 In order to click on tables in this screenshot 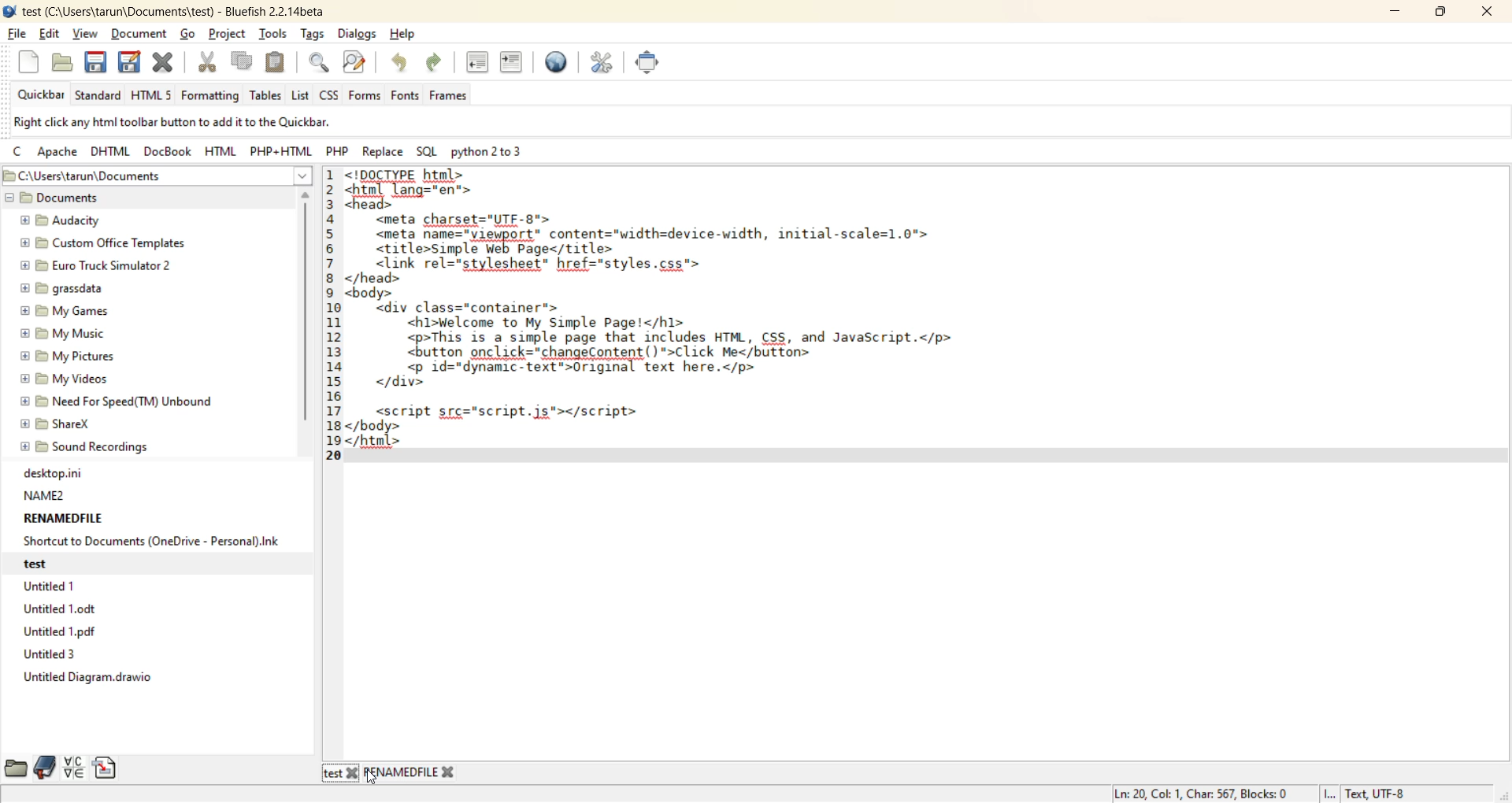, I will do `click(265, 94)`.